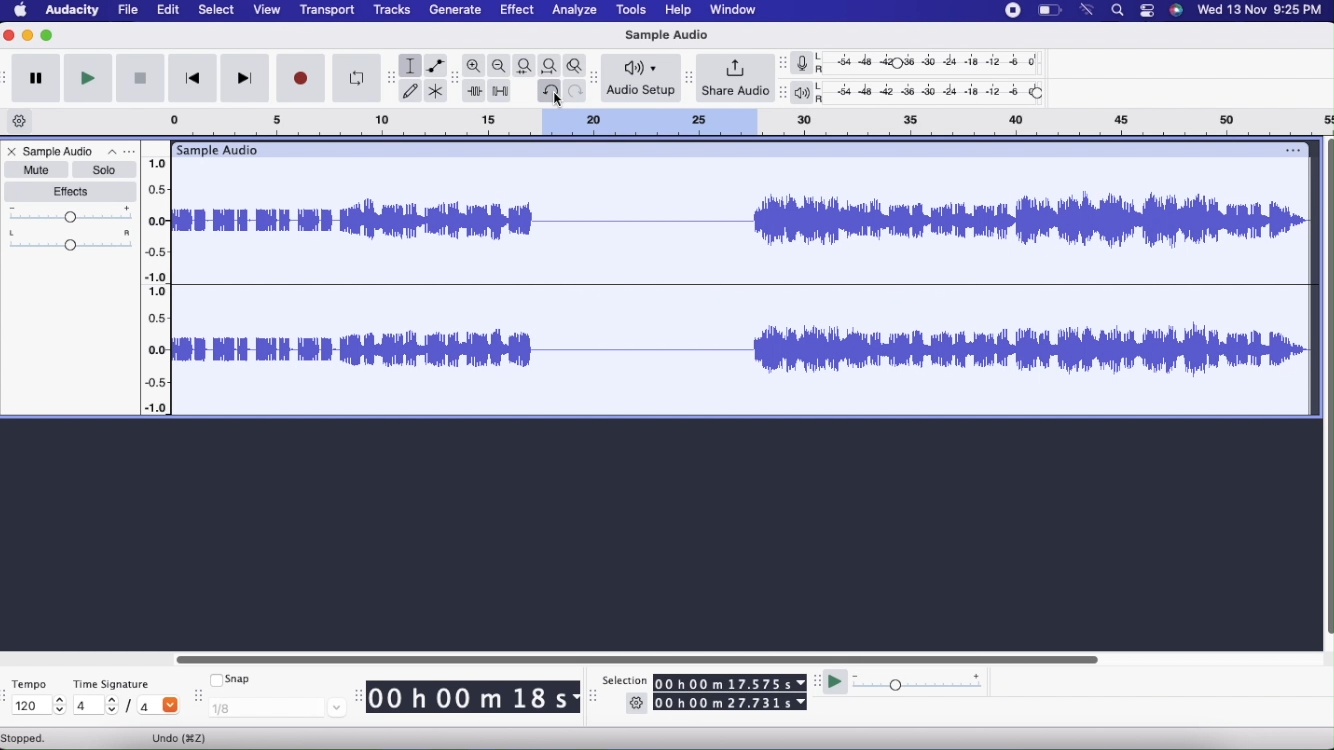  What do you see at coordinates (635, 658) in the screenshot?
I see `Slider` at bounding box center [635, 658].